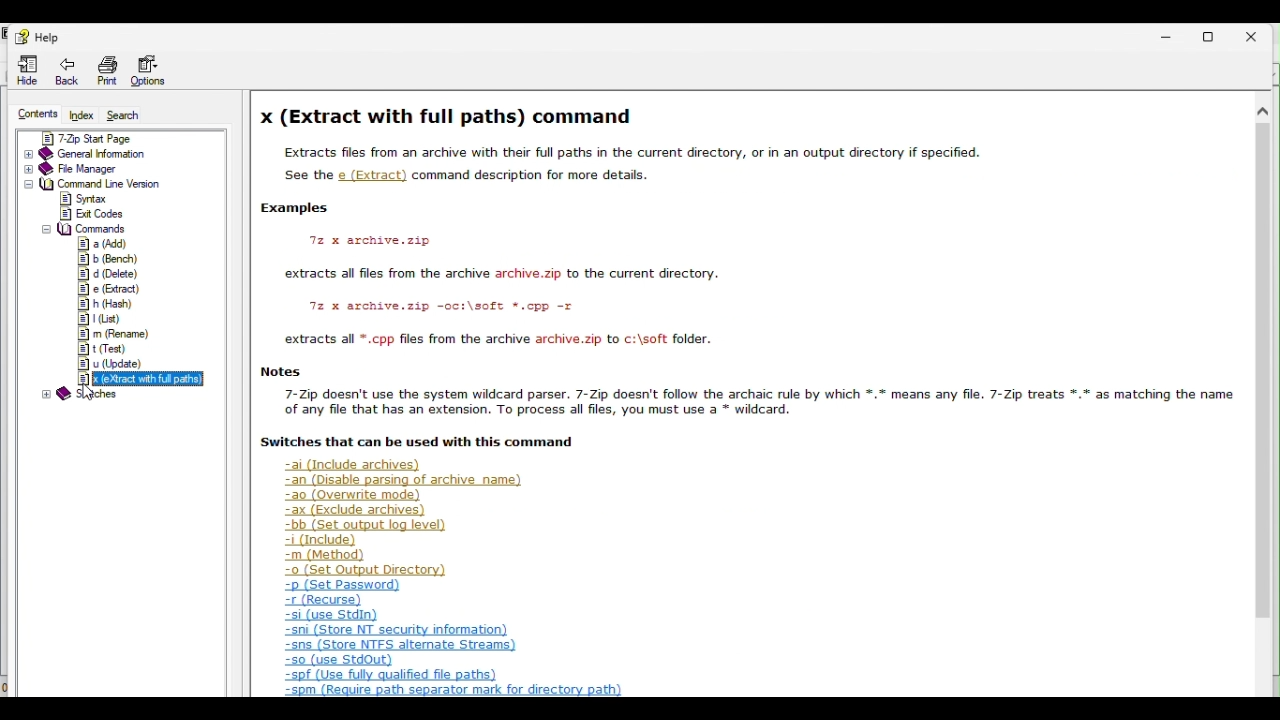 The height and width of the screenshot is (720, 1280). What do you see at coordinates (25, 186) in the screenshot?
I see `expand` at bounding box center [25, 186].